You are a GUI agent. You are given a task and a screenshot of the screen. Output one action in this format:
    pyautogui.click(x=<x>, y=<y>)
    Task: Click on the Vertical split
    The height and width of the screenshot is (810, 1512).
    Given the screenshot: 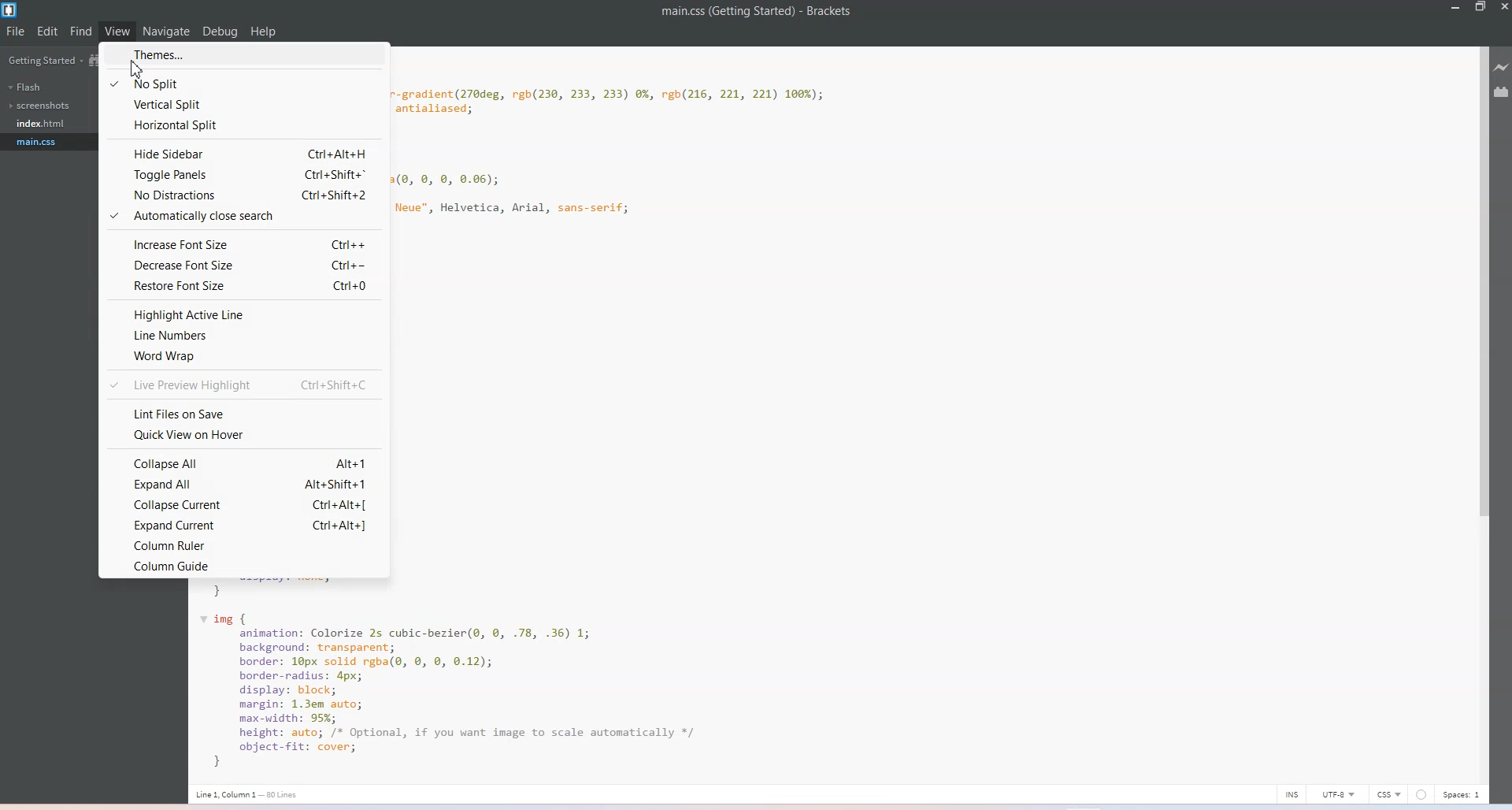 What is the action you would take?
    pyautogui.click(x=244, y=105)
    